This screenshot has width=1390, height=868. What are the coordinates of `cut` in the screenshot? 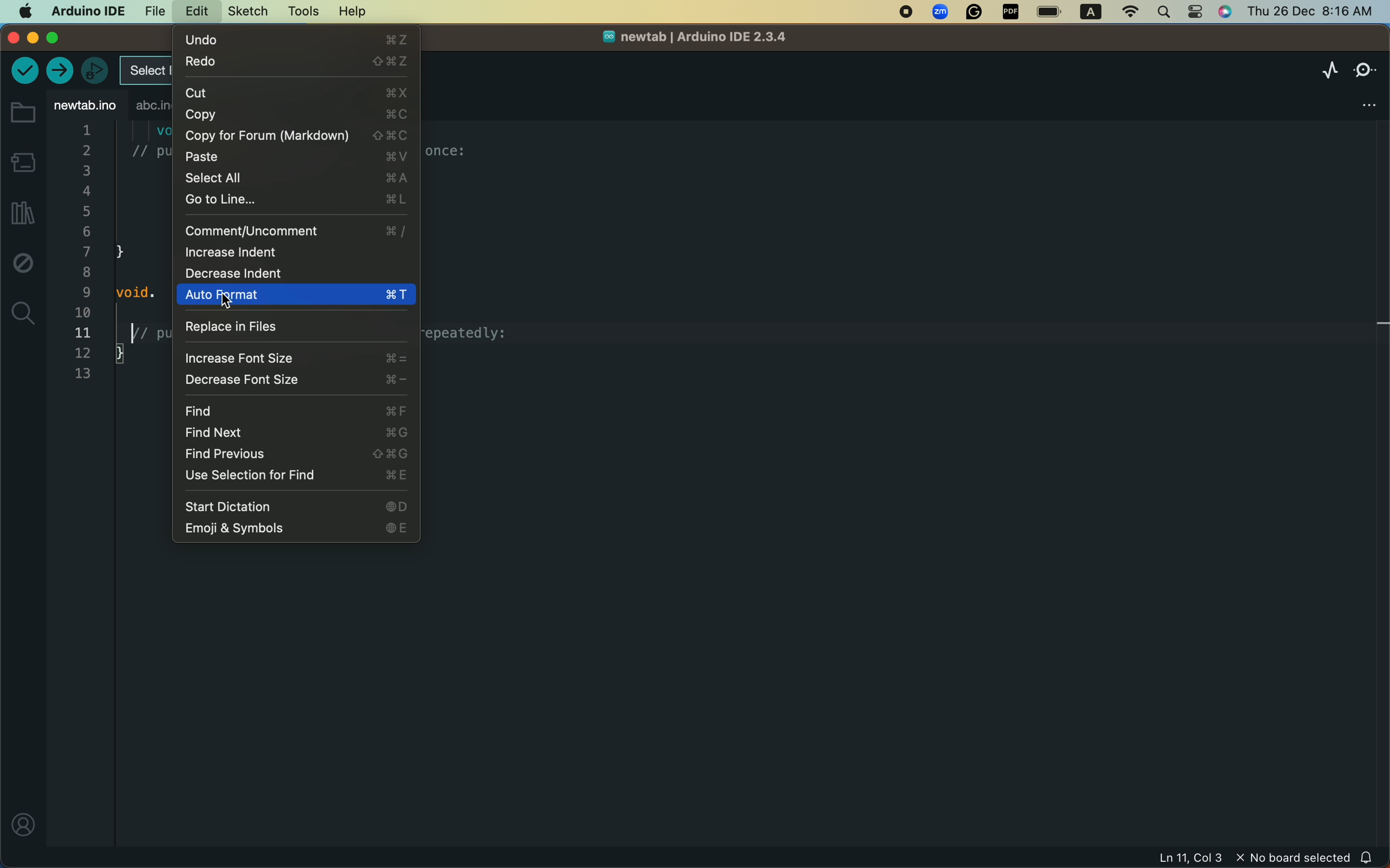 It's located at (295, 91).